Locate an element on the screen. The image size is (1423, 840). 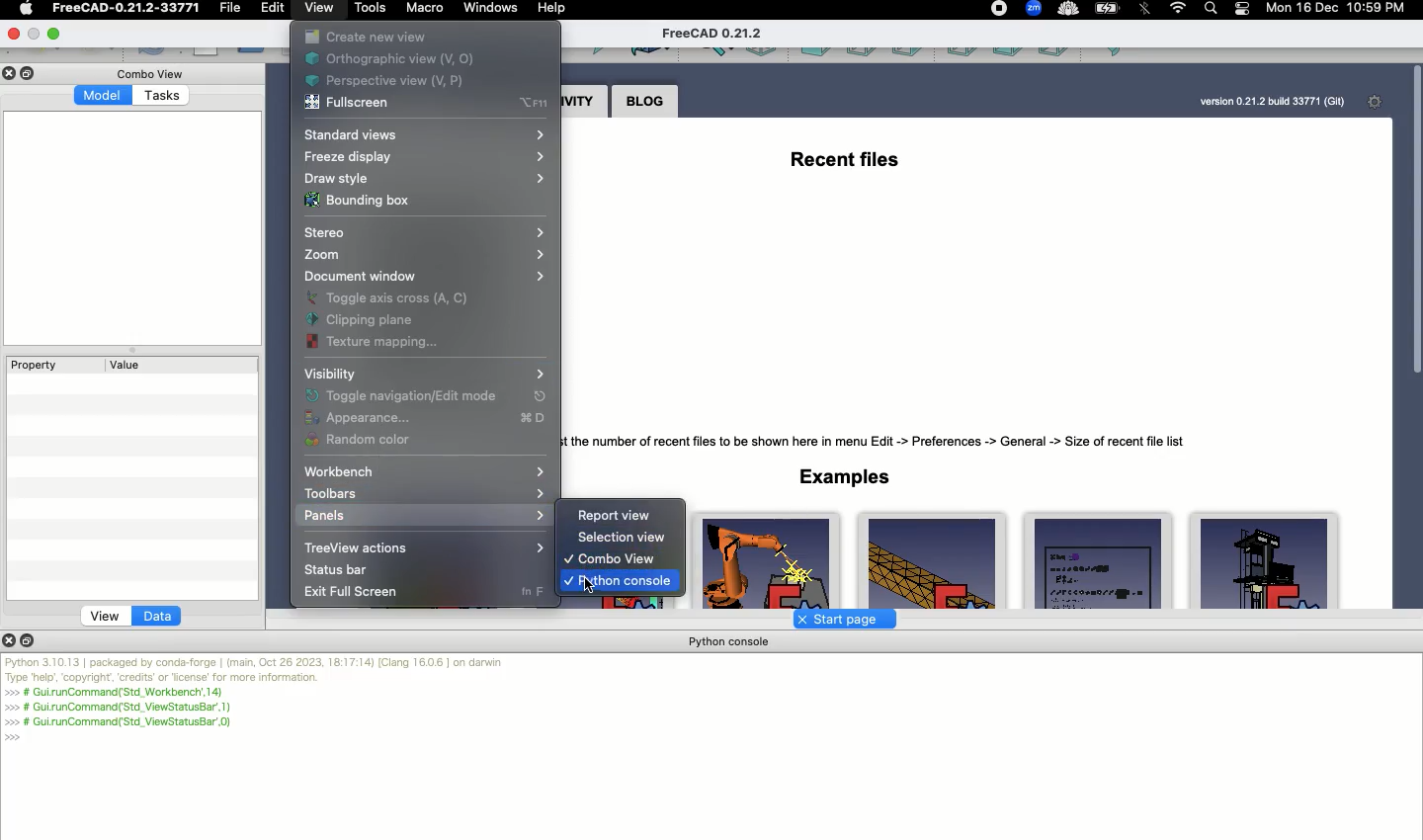
Exit full screen is located at coordinates (350, 592).